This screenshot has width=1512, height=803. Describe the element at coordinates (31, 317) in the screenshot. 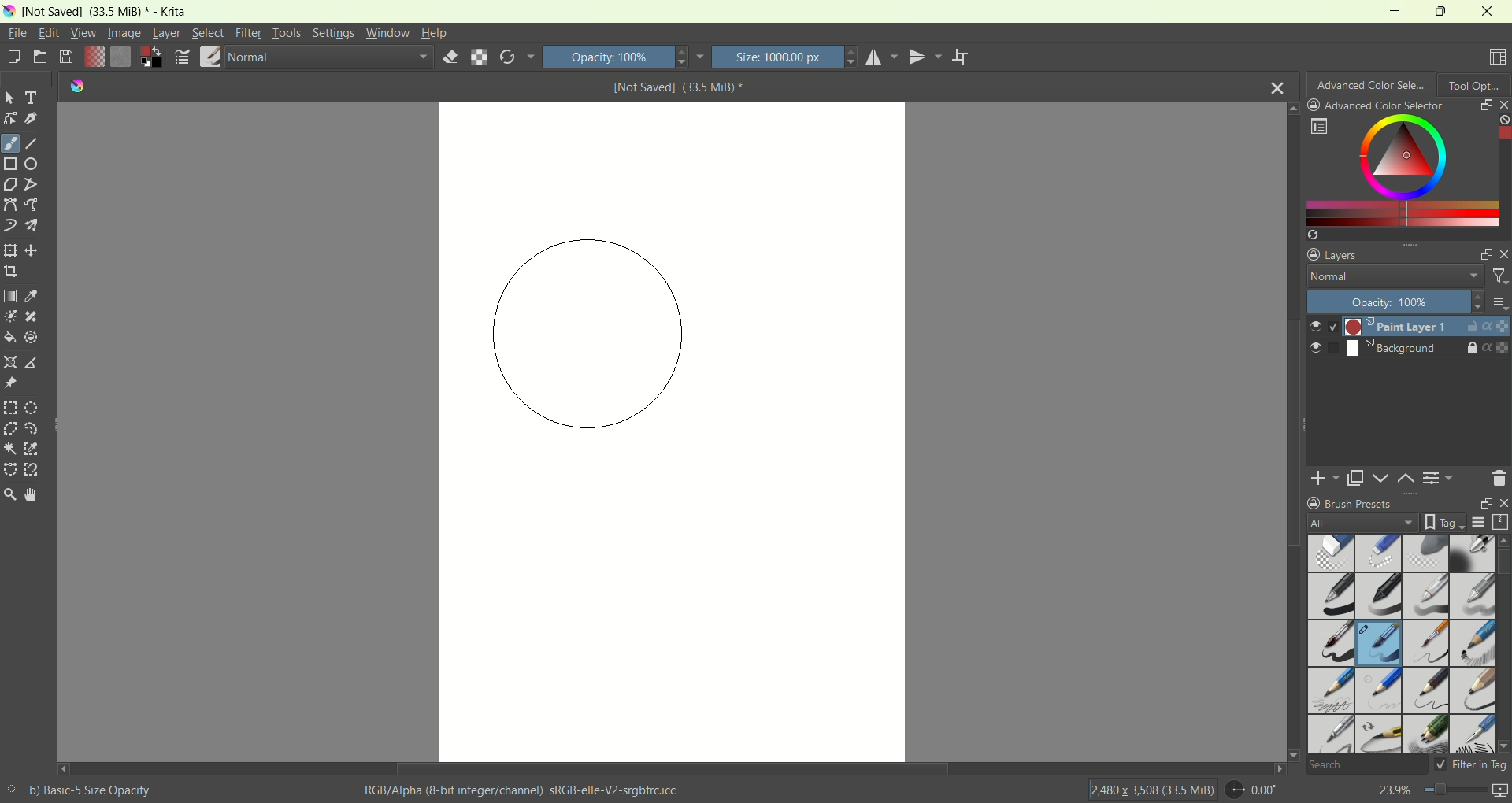

I see `smart patch` at that location.